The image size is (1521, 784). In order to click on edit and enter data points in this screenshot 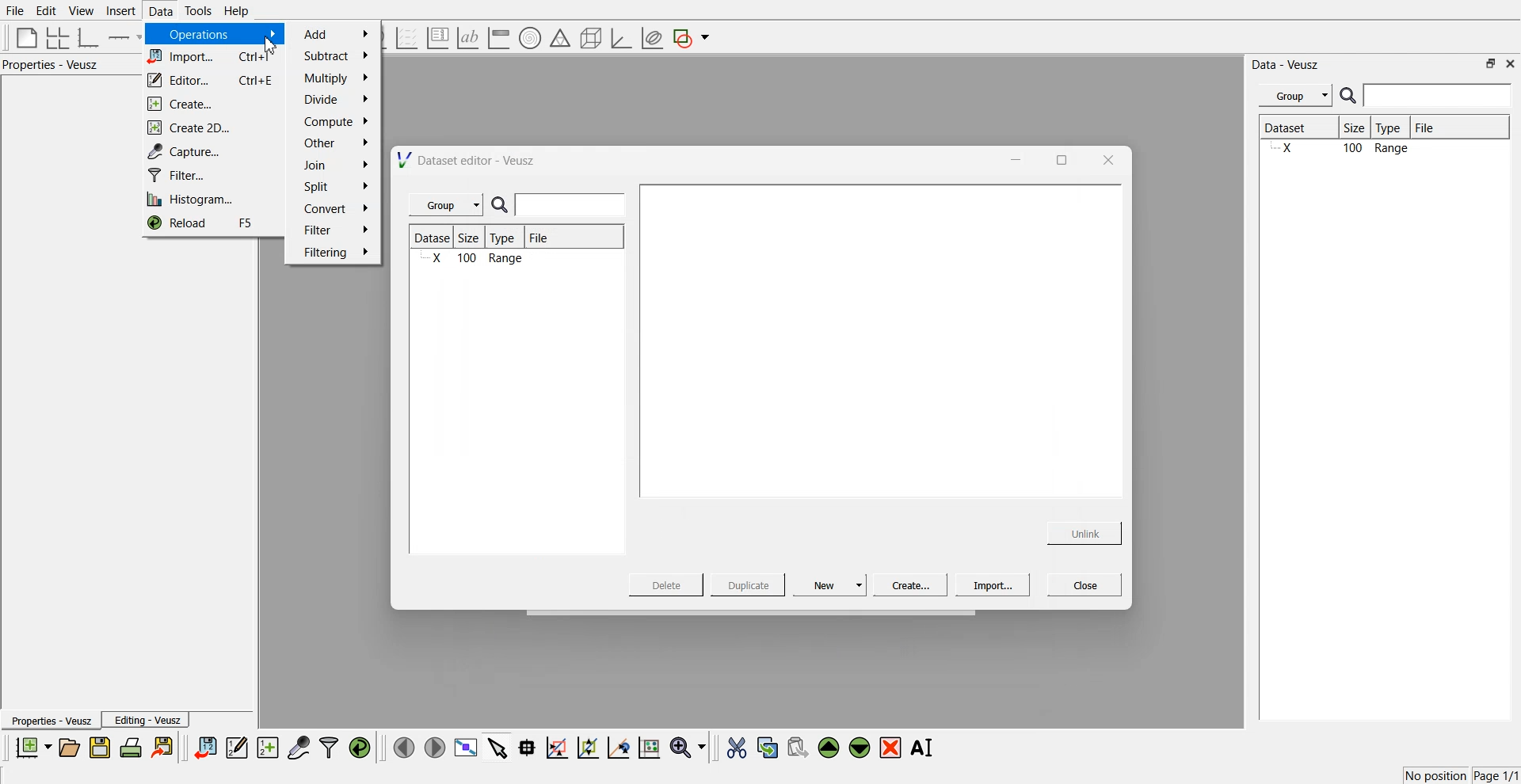, I will do `click(237, 749)`.